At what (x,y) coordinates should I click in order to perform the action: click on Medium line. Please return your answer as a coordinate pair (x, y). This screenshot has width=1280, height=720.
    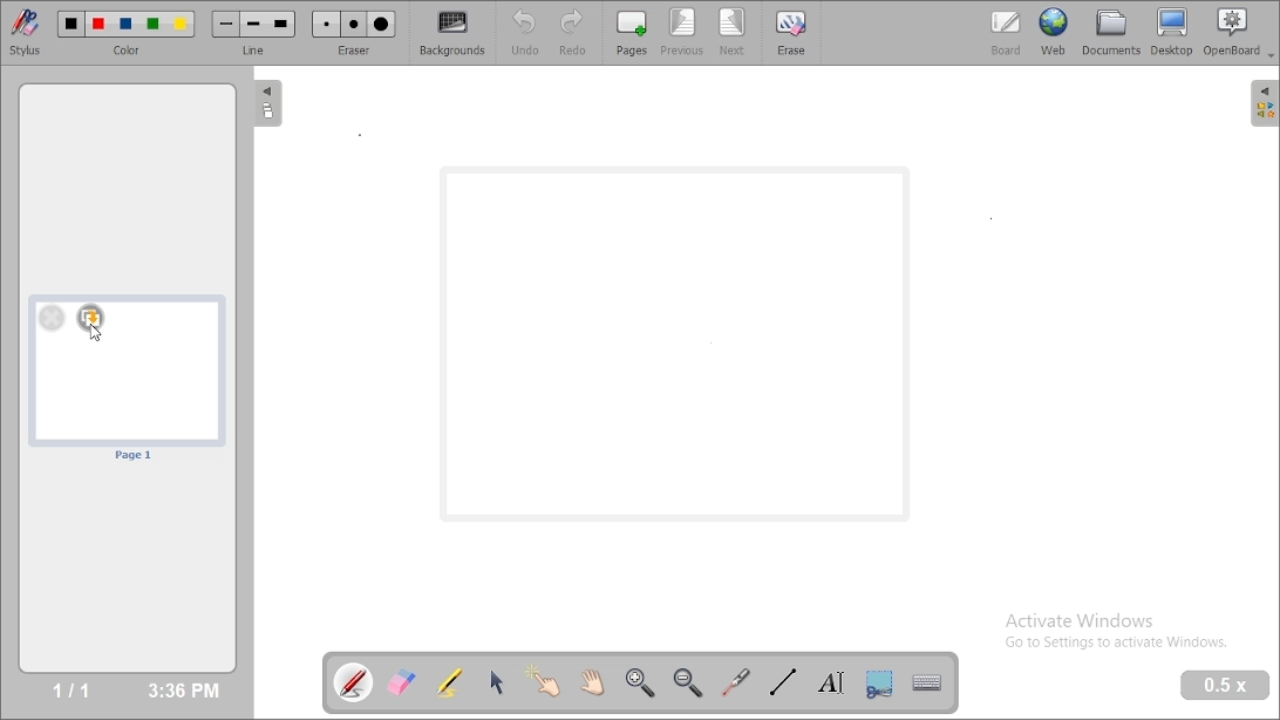
    Looking at the image, I should click on (255, 24).